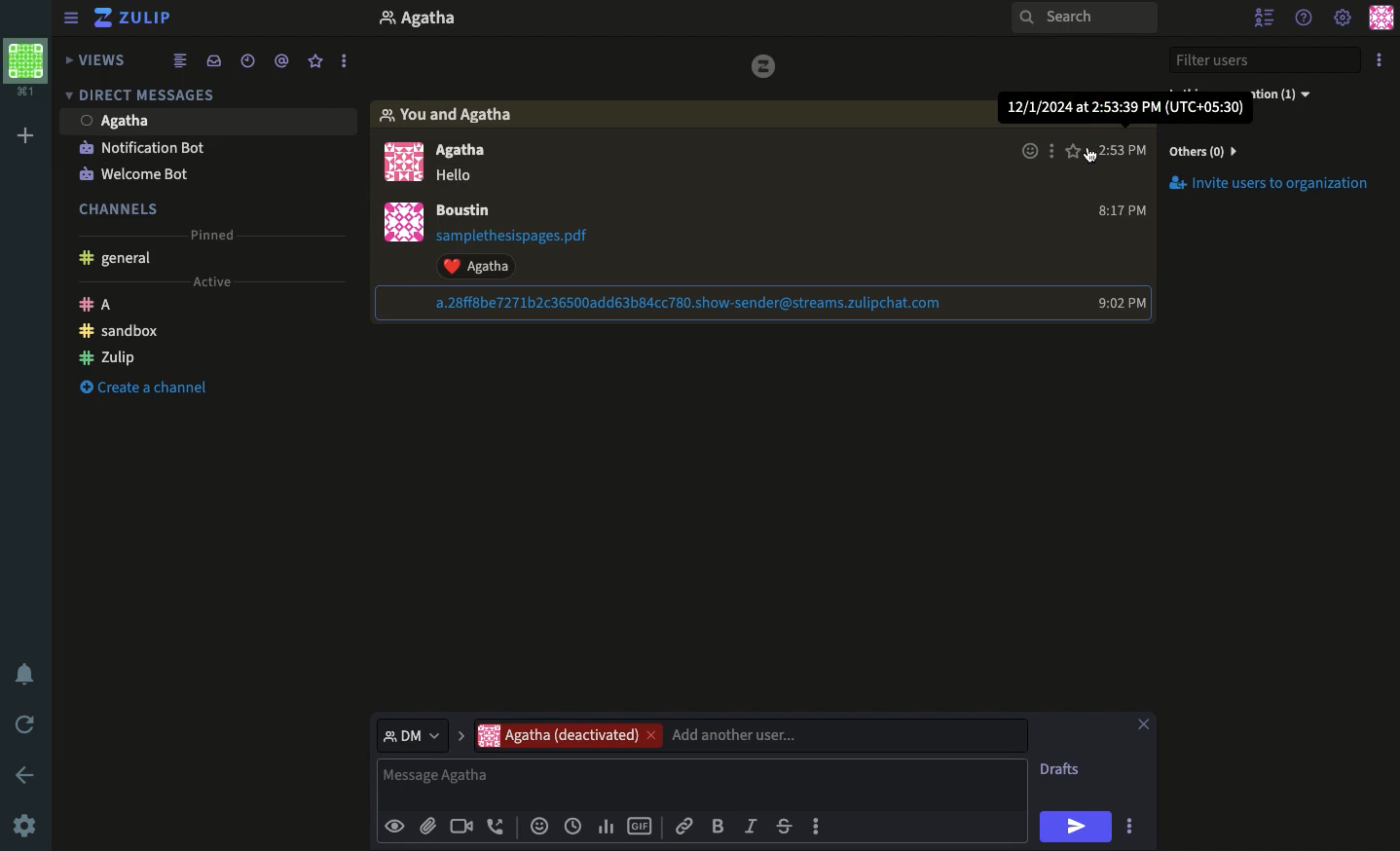 This screenshot has height=851, width=1400. What do you see at coordinates (136, 17) in the screenshot?
I see `Zulip` at bounding box center [136, 17].